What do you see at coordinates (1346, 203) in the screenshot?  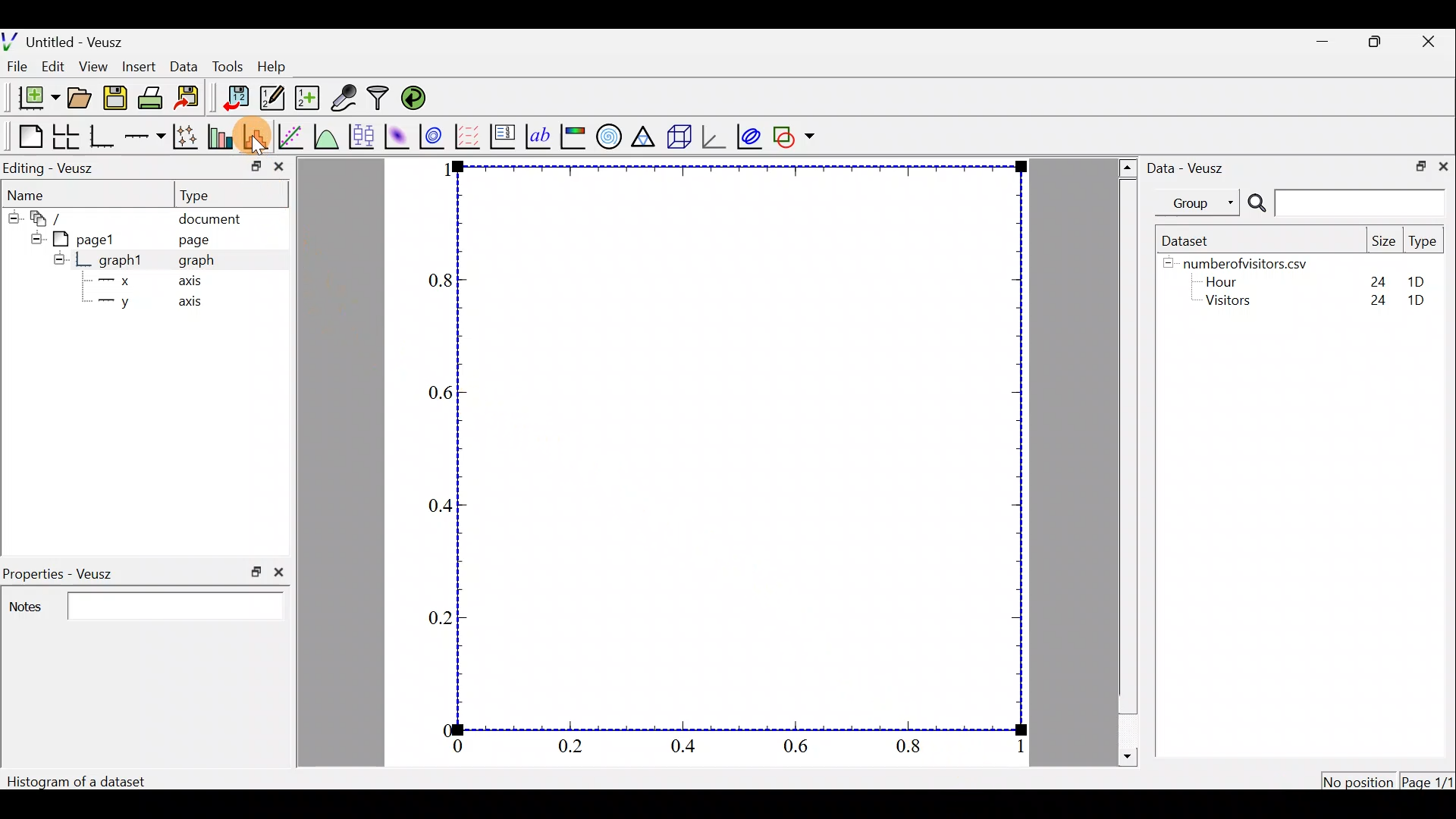 I see `Search bar` at bounding box center [1346, 203].